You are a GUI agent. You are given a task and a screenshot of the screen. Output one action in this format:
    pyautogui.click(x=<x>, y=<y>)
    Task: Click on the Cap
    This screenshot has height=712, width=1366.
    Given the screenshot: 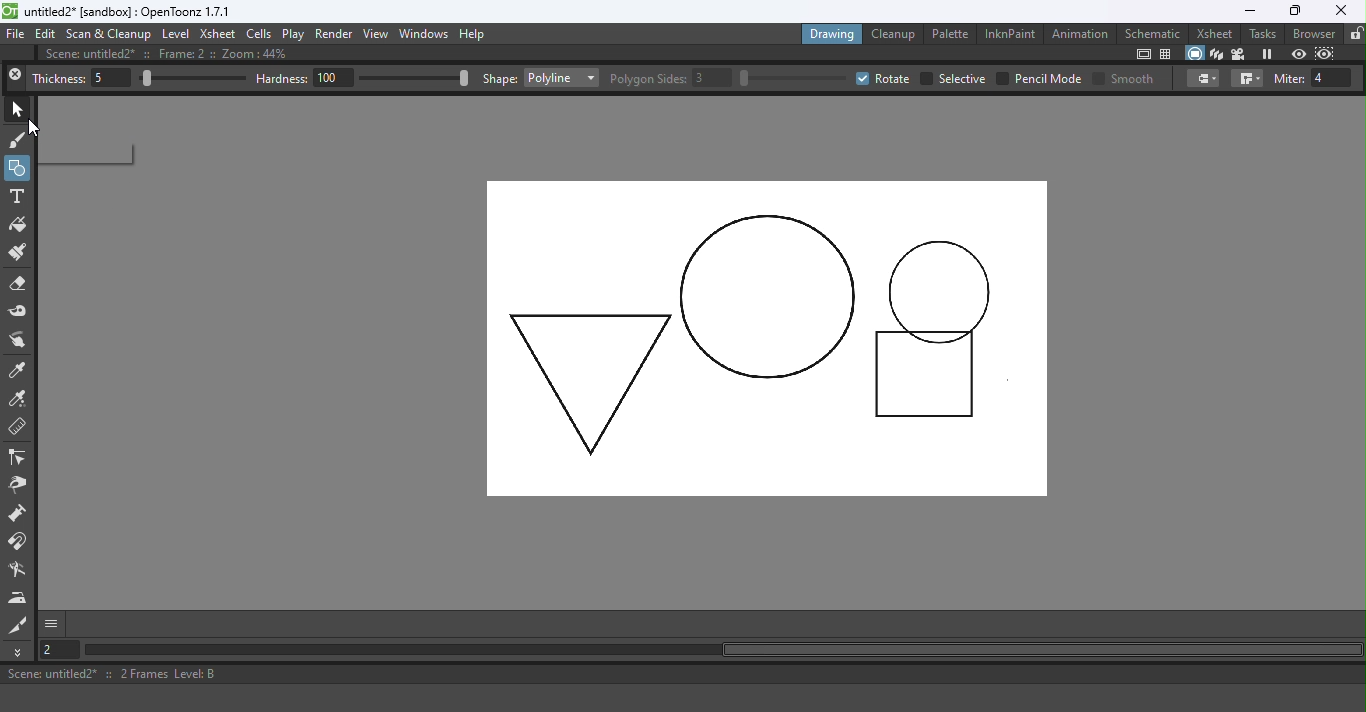 What is the action you would take?
    pyautogui.click(x=1203, y=78)
    